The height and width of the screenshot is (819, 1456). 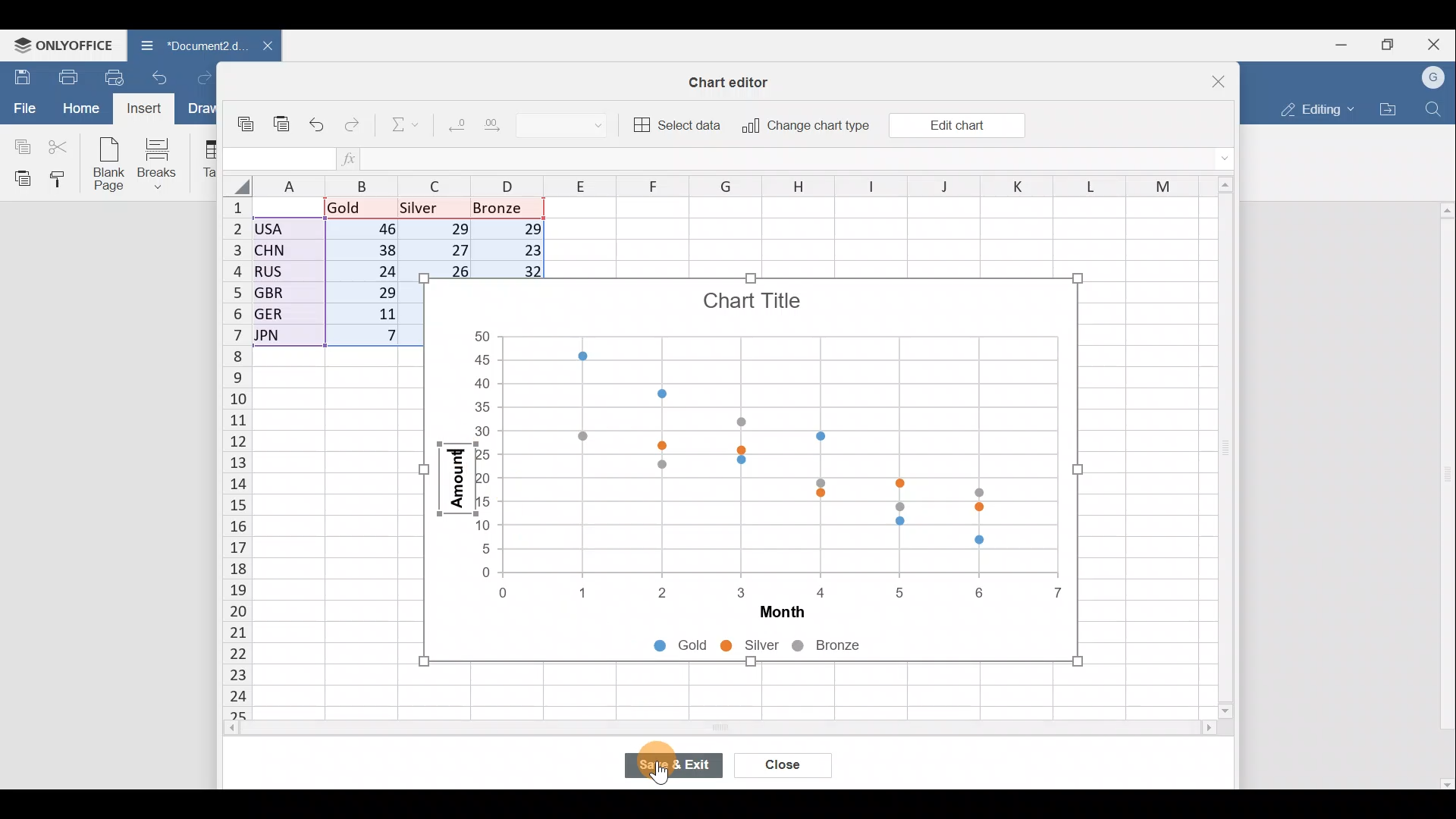 What do you see at coordinates (185, 45) in the screenshot?
I see `Document2.d` at bounding box center [185, 45].